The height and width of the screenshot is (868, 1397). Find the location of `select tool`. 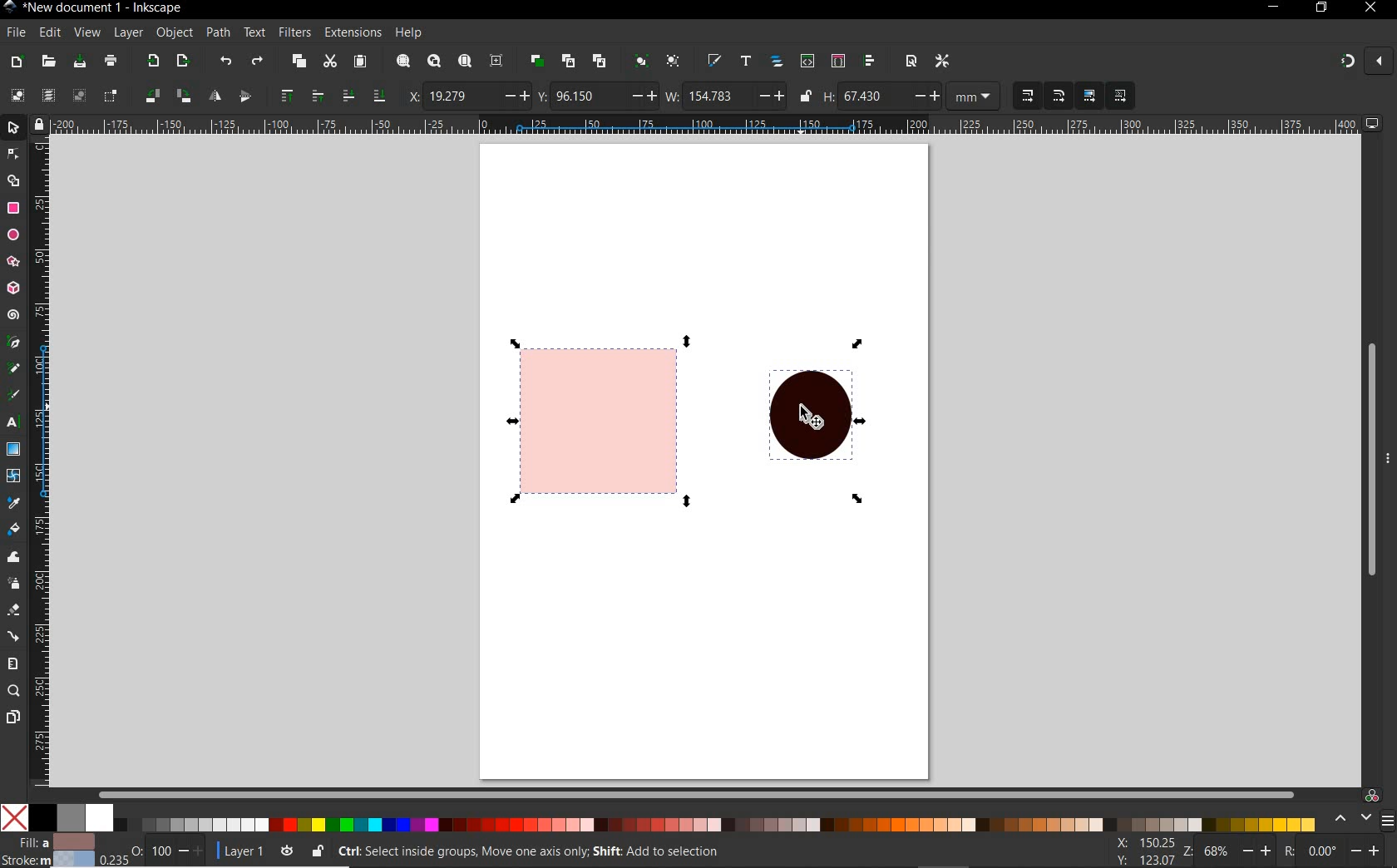

select tool is located at coordinates (14, 126).